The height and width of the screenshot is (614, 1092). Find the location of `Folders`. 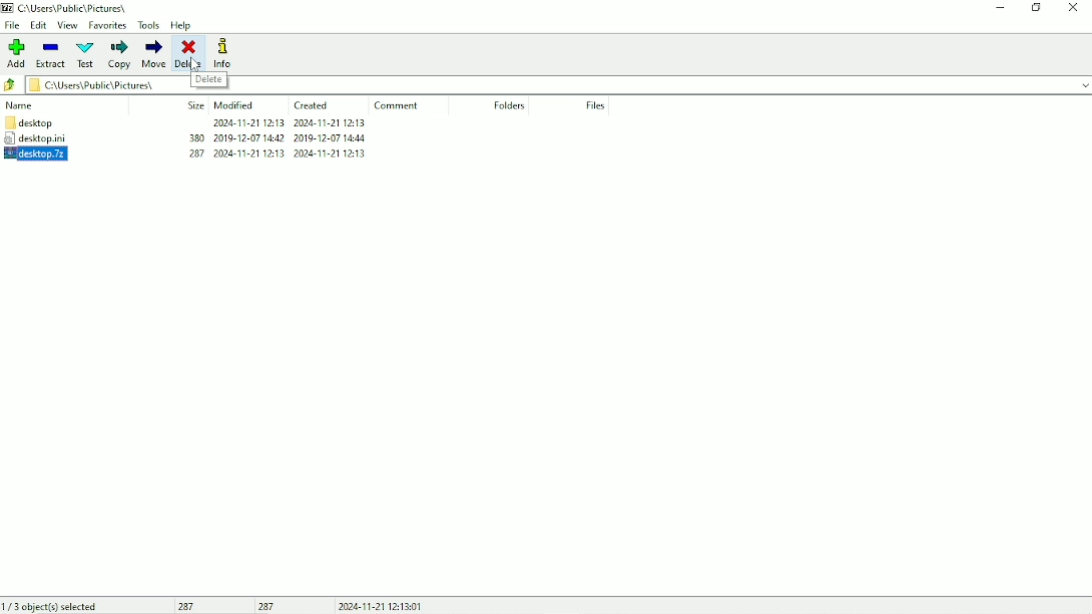

Folders is located at coordinates (510, 105).